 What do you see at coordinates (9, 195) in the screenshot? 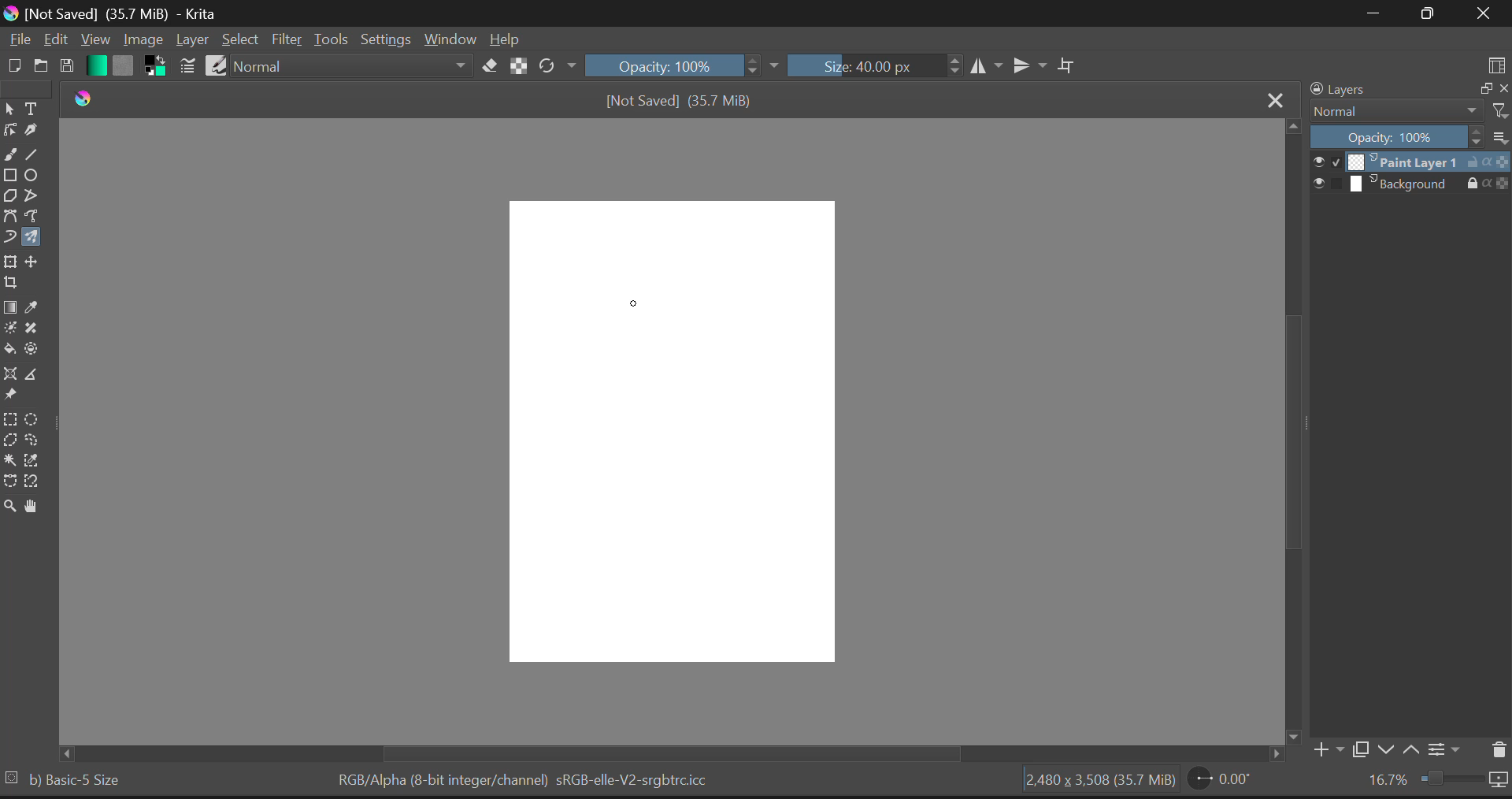
I see `Polygons` at bounding box center [9, 195].